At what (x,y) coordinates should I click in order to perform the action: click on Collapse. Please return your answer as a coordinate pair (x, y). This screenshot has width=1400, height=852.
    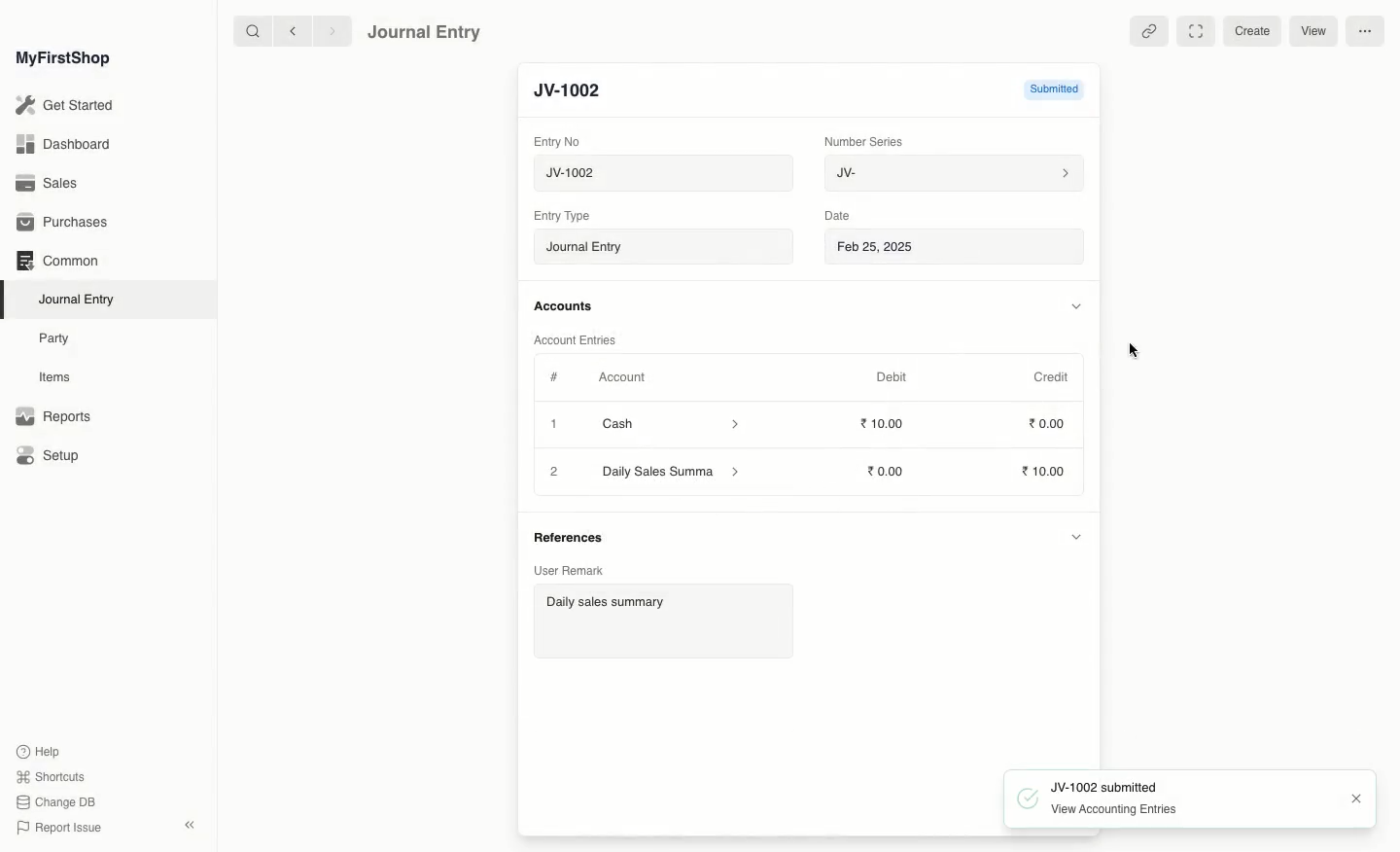
    Looking at the image, I should click on (190, 825).